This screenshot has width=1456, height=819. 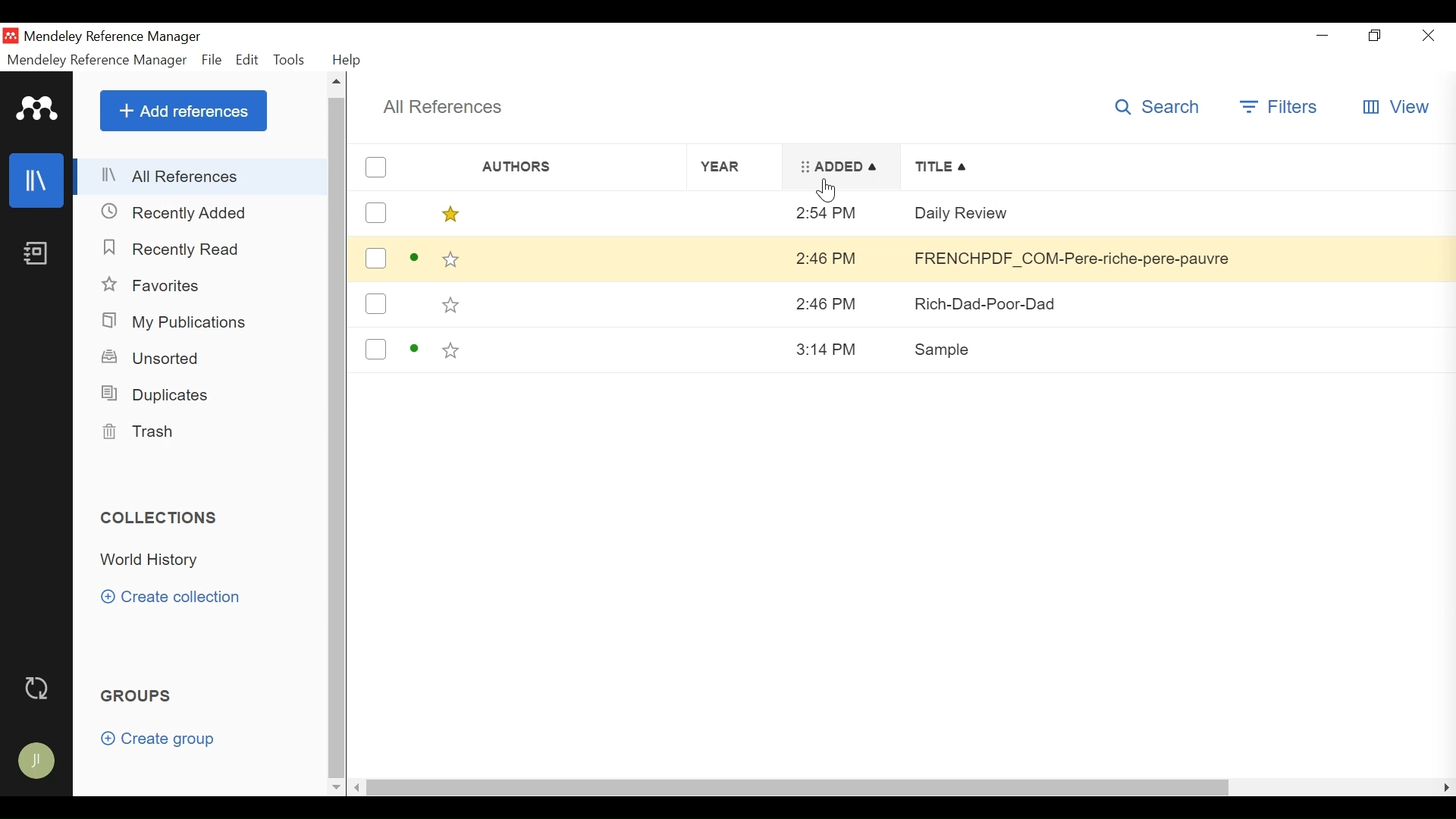 What do you see at coordinates (157, 358) in the screenshot?
I see `Unsorted` at bounding box center [157, 358].